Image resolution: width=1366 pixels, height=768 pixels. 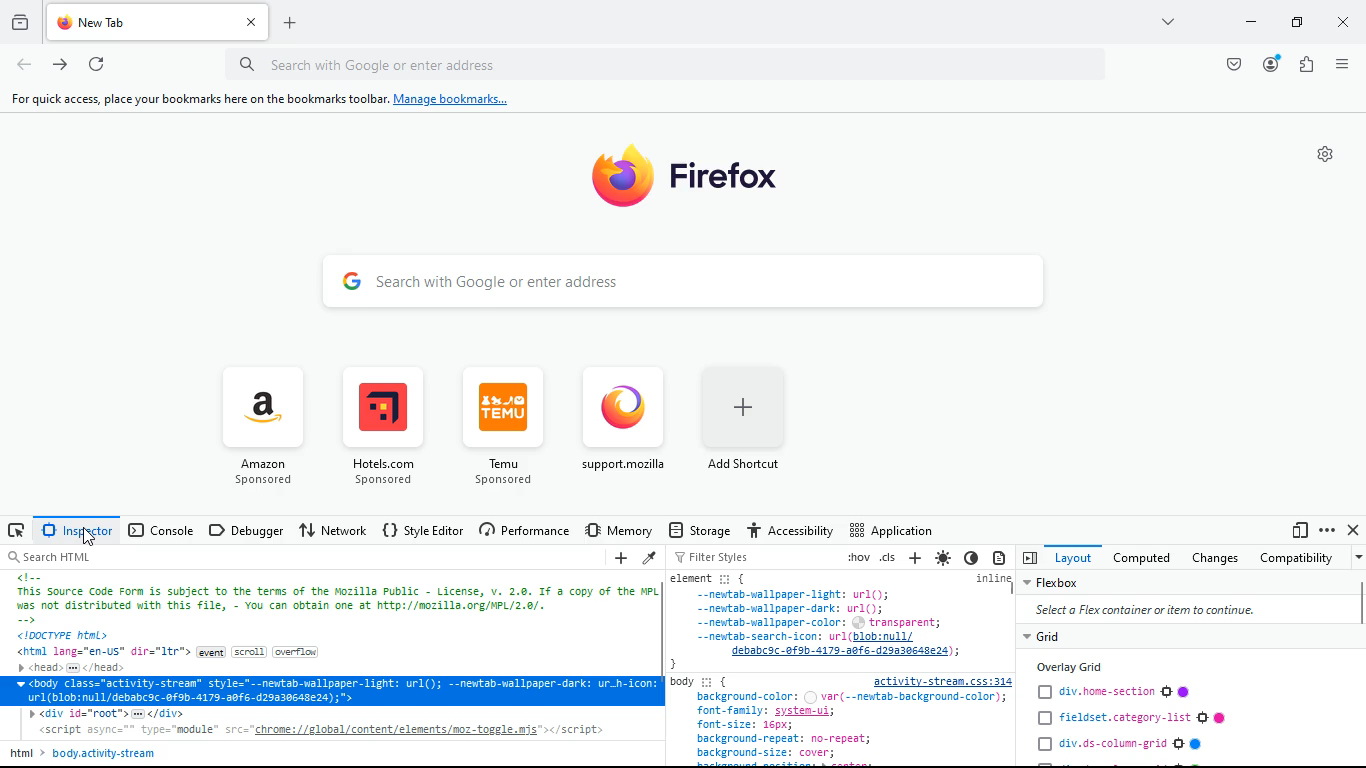 What do you see at coordinates (1303, 64) in the screenshot?
I see `extensions` at bounding box center [1303, 64].